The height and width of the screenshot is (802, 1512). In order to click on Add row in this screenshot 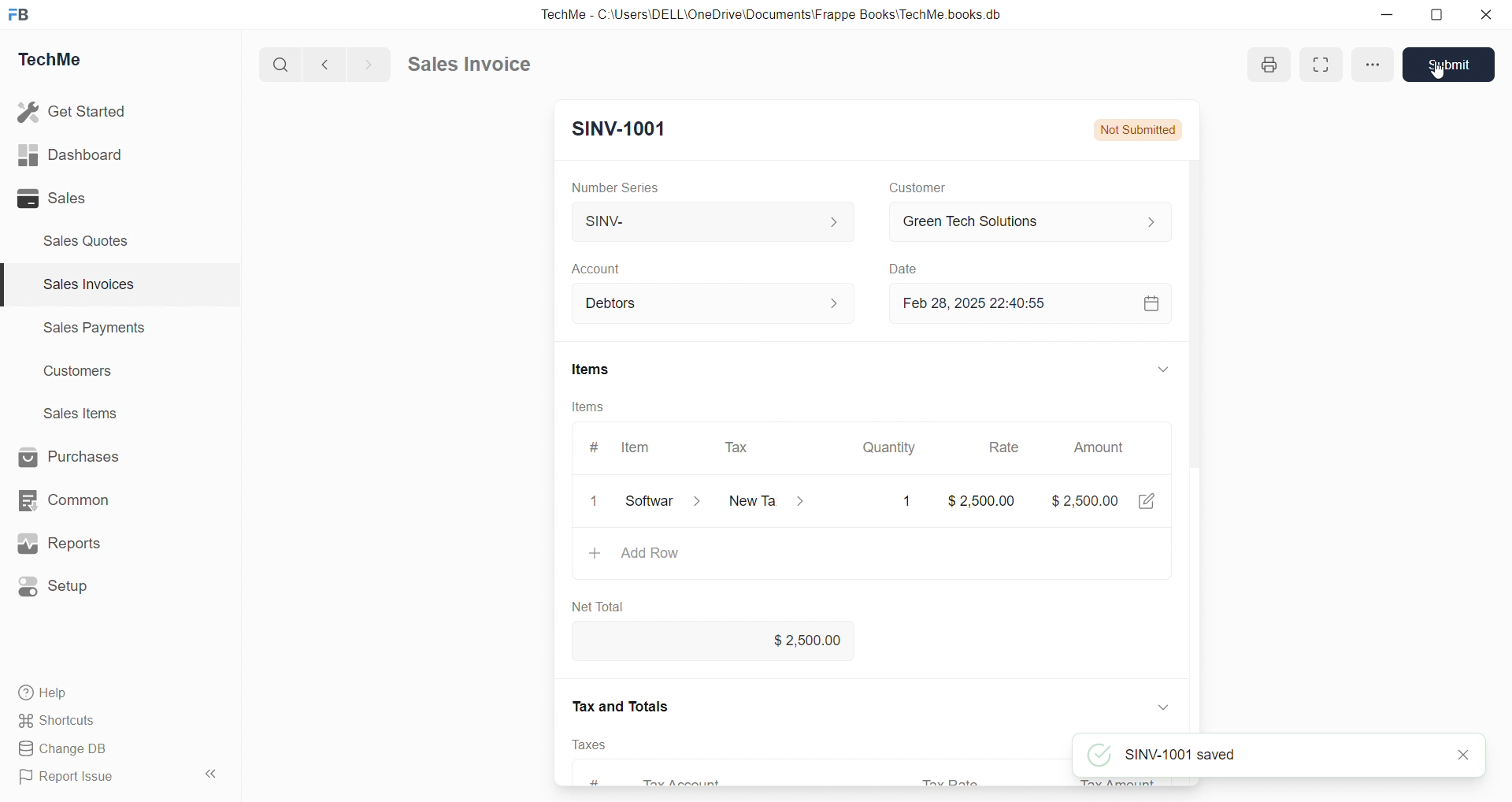, I will do `click(661, 554)`.